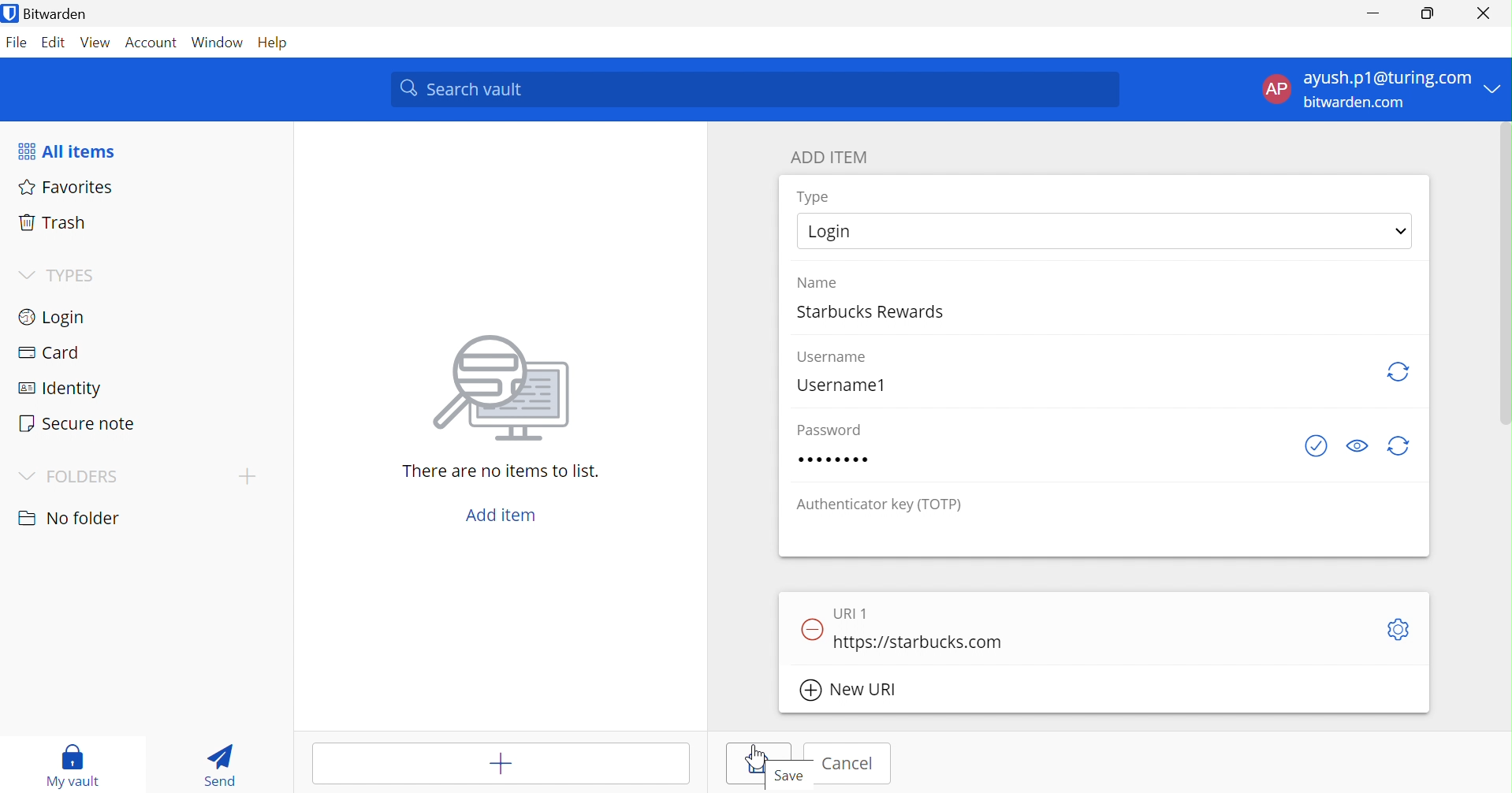 The width and height of the screenshot is (1512, 793). What do you see at coordinates (1319, 446) in the screenshot?
I see `Check if password has been exposed` at bounding box center [1319, 446].